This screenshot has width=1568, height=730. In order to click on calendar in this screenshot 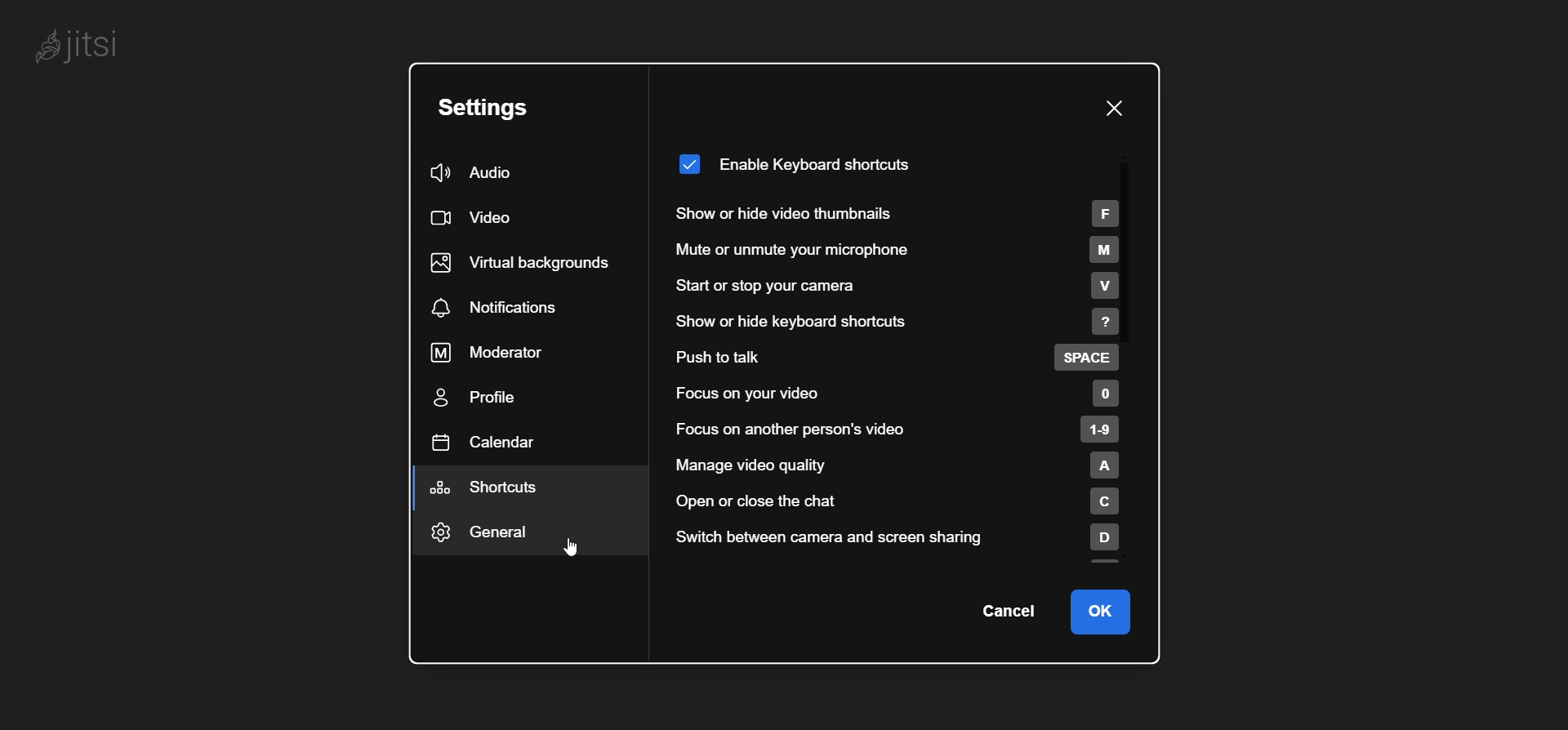, I will do `click(484, 441)`.